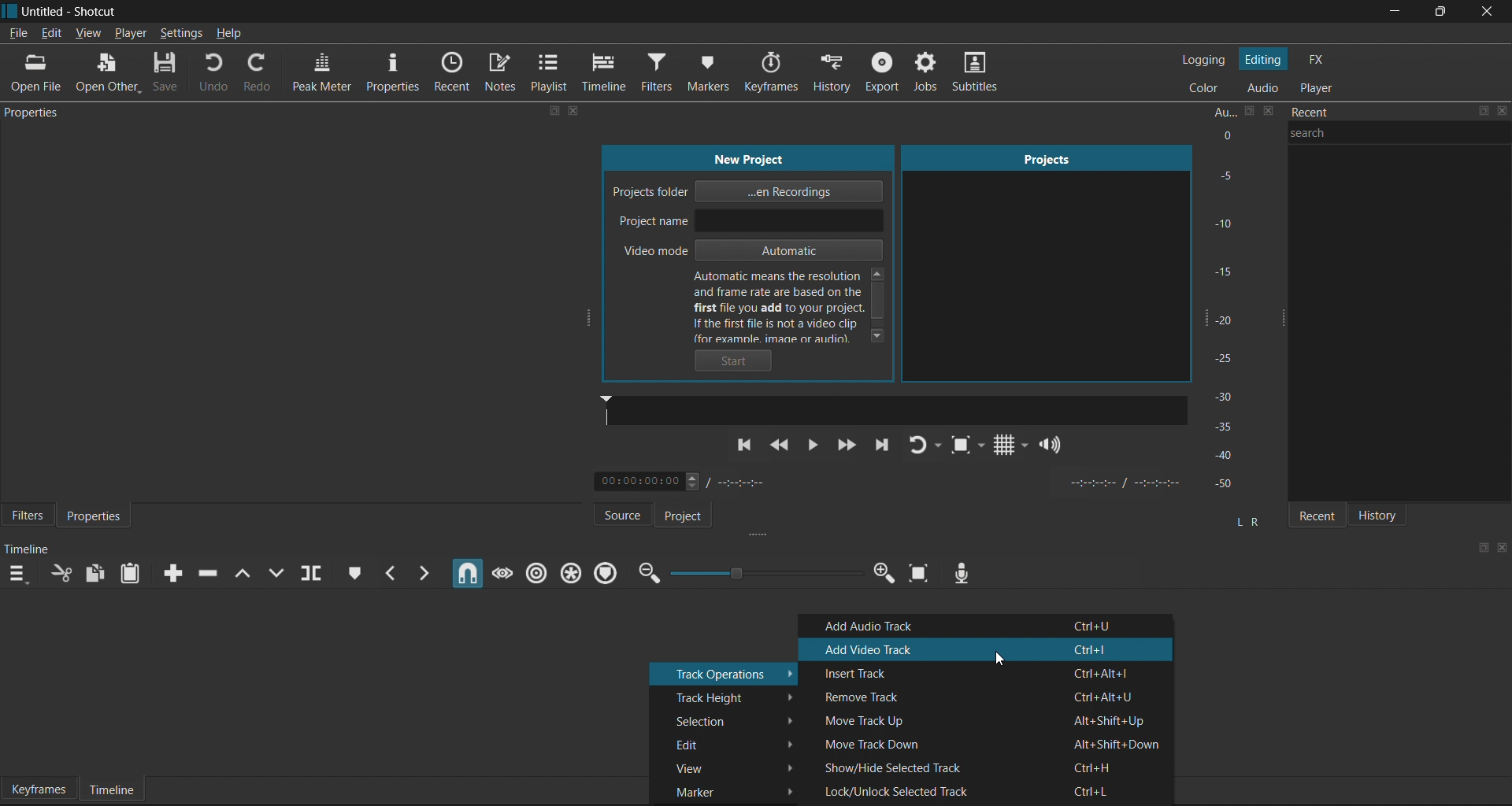  What do you see at coordinates (1002, 661) in the screenshot?
I see `Cursor` at bounding box center [1002, 661].